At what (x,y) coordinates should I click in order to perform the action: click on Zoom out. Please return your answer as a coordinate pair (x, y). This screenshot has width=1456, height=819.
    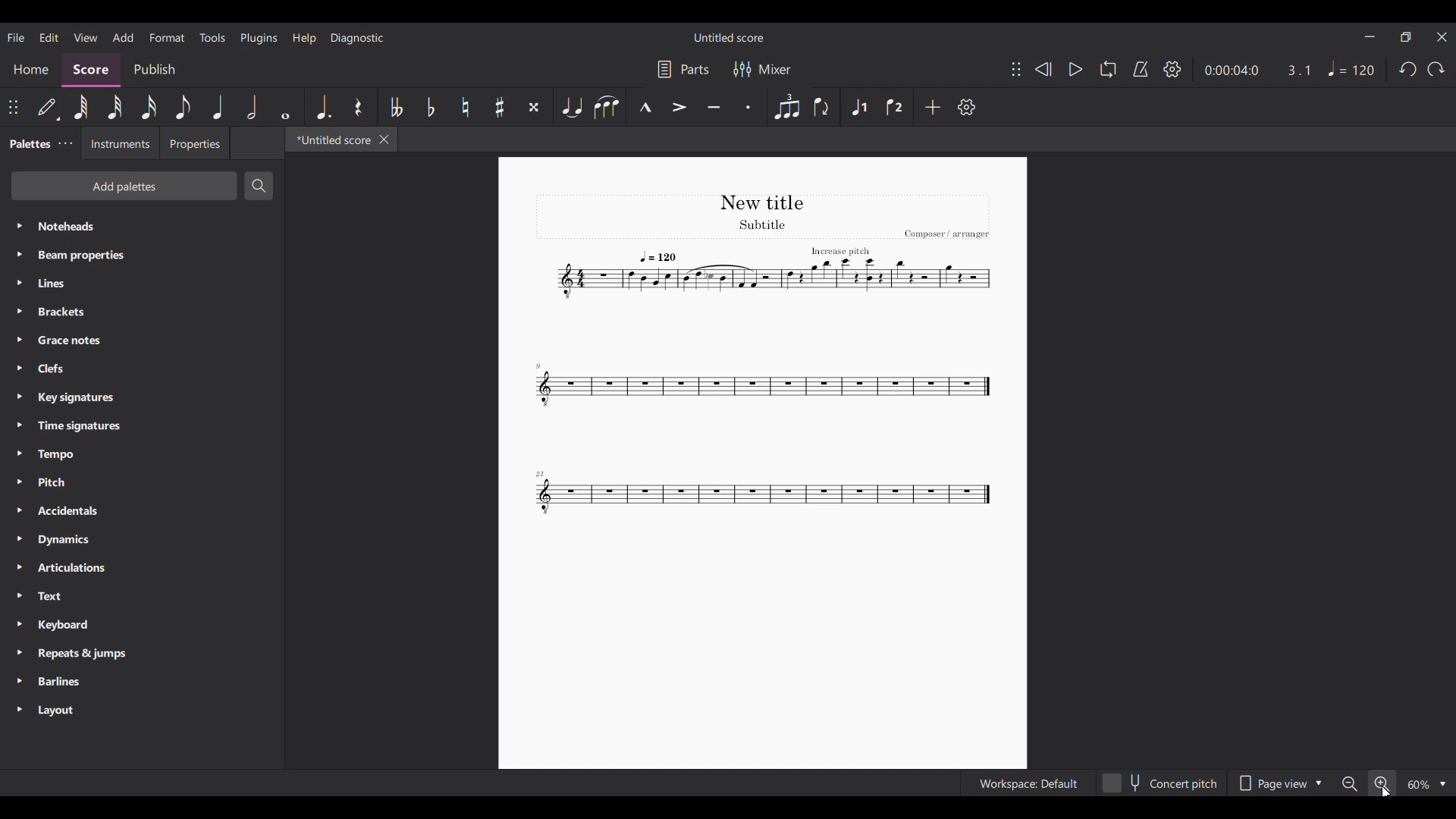
    Looking at the image, I should click on (1348, 784).